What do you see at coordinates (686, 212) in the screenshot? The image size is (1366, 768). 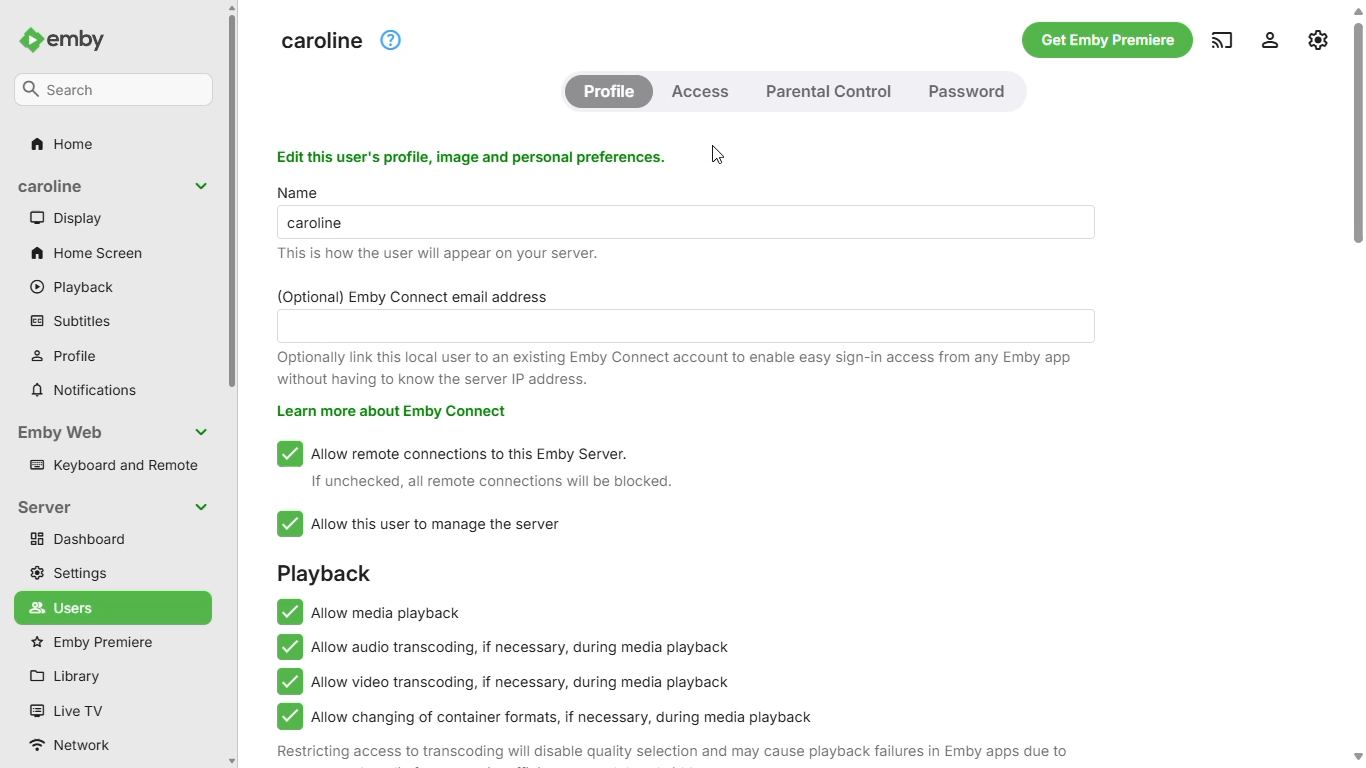 I see `name` at bounding box center [686, 212].